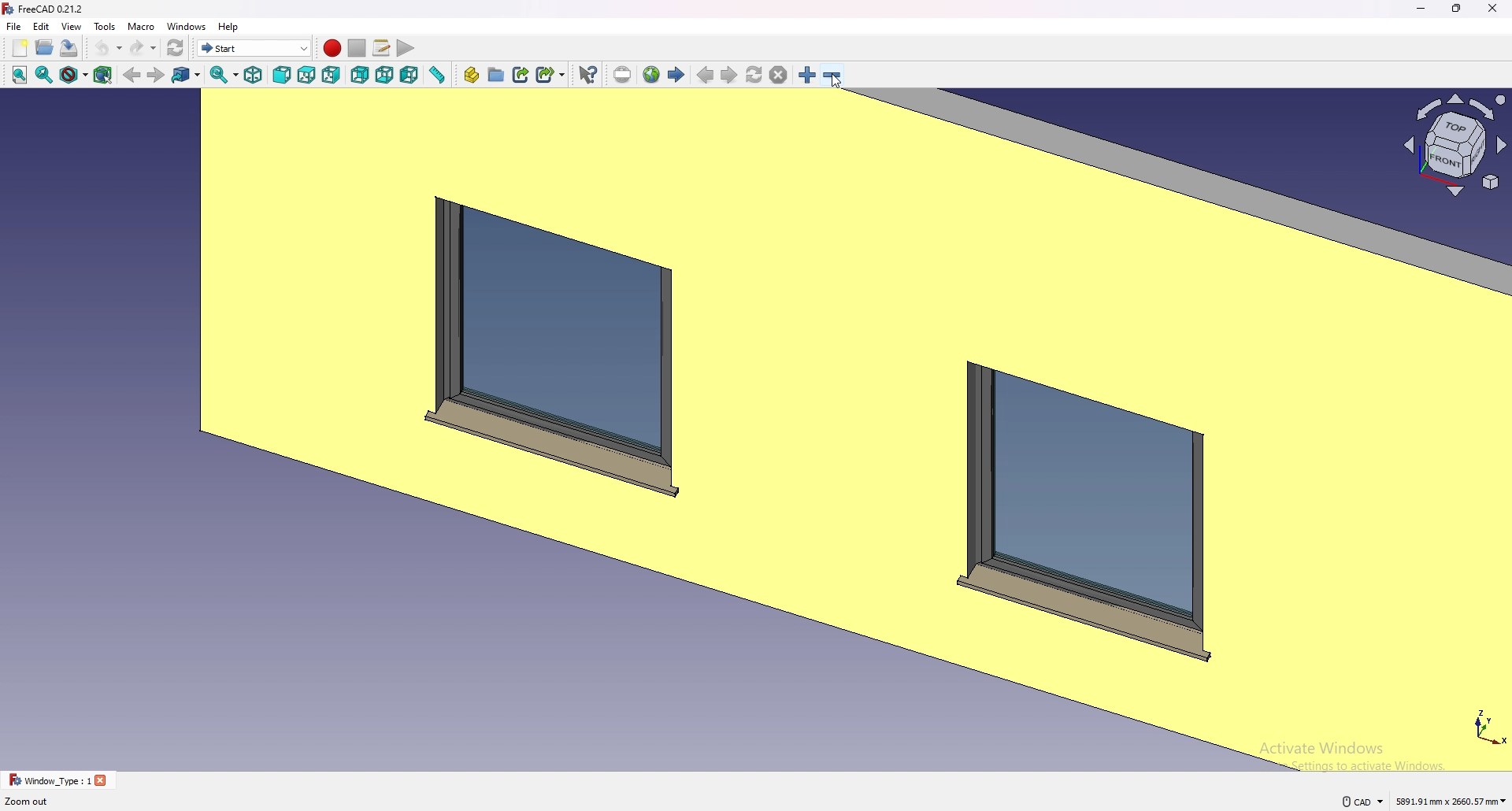  Describe the element at coordinates (359, 76) in the screenshot. I see `rear` at that location.